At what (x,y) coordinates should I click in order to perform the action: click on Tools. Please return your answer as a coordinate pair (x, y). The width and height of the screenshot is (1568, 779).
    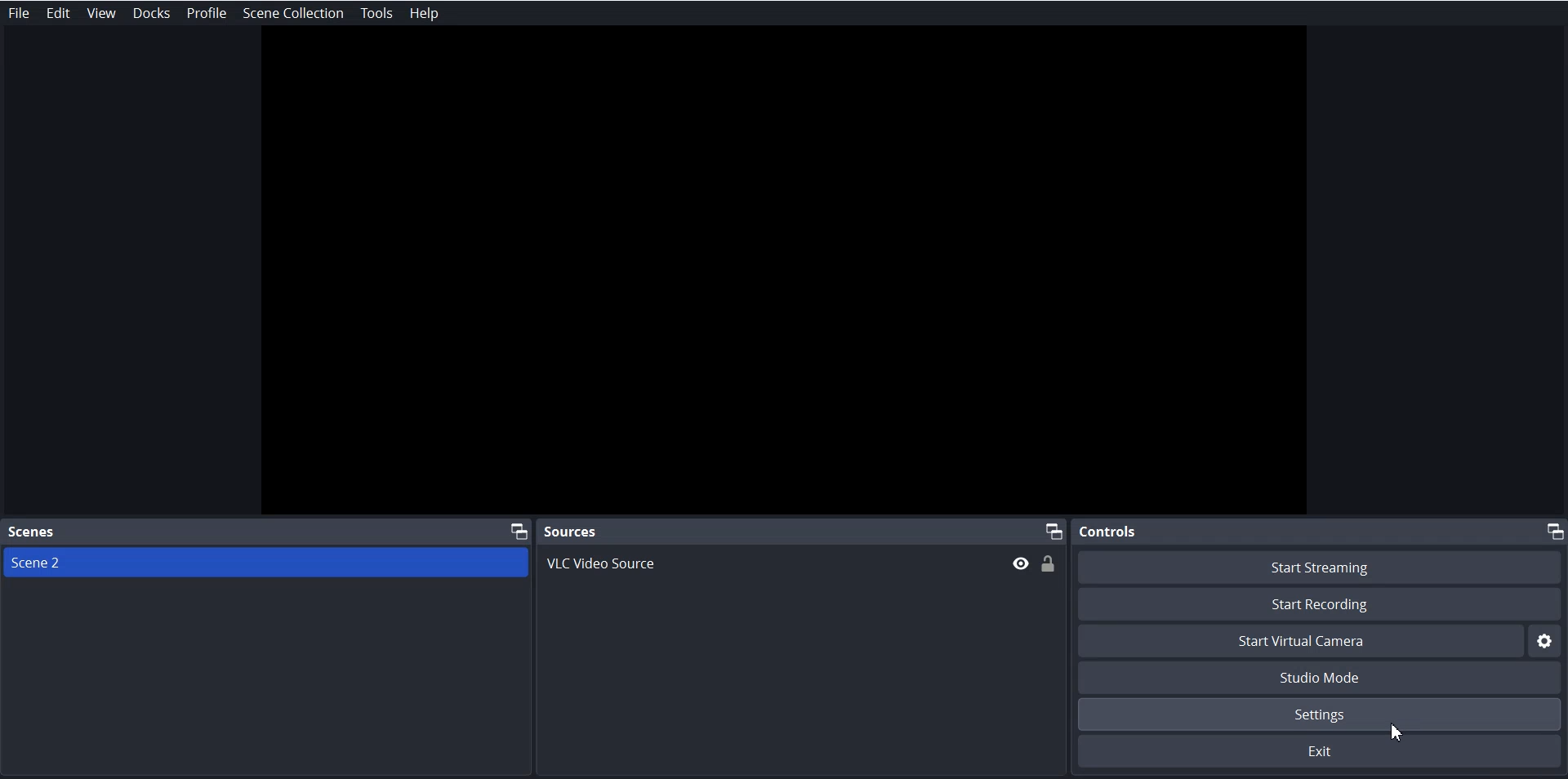
    Looking at the image, I should click on (376, 13).